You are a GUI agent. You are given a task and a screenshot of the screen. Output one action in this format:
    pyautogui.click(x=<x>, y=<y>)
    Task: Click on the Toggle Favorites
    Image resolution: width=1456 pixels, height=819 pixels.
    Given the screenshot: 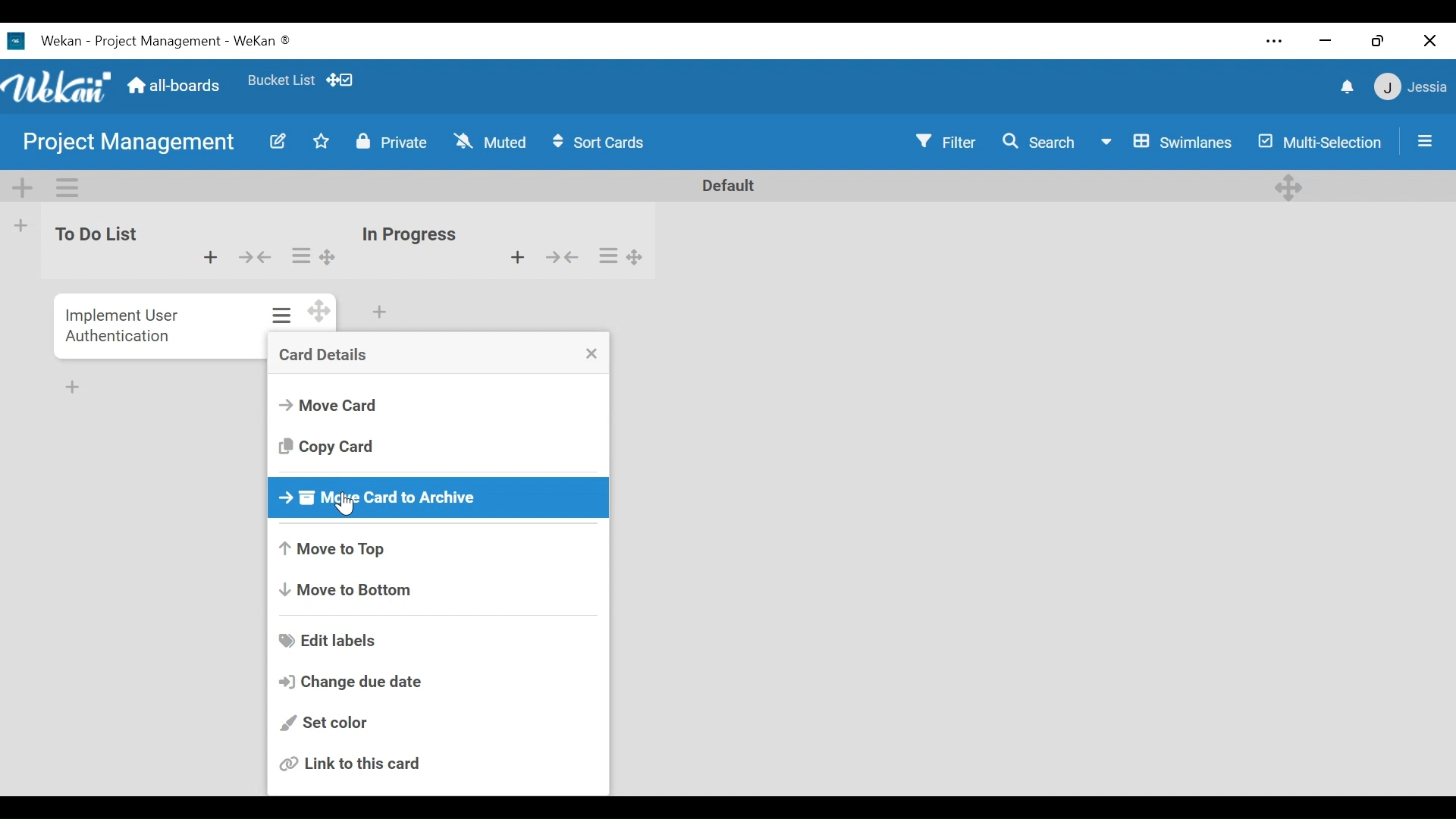 What is the action you would take?
    pyautogui.click(x=322, y=142)
    